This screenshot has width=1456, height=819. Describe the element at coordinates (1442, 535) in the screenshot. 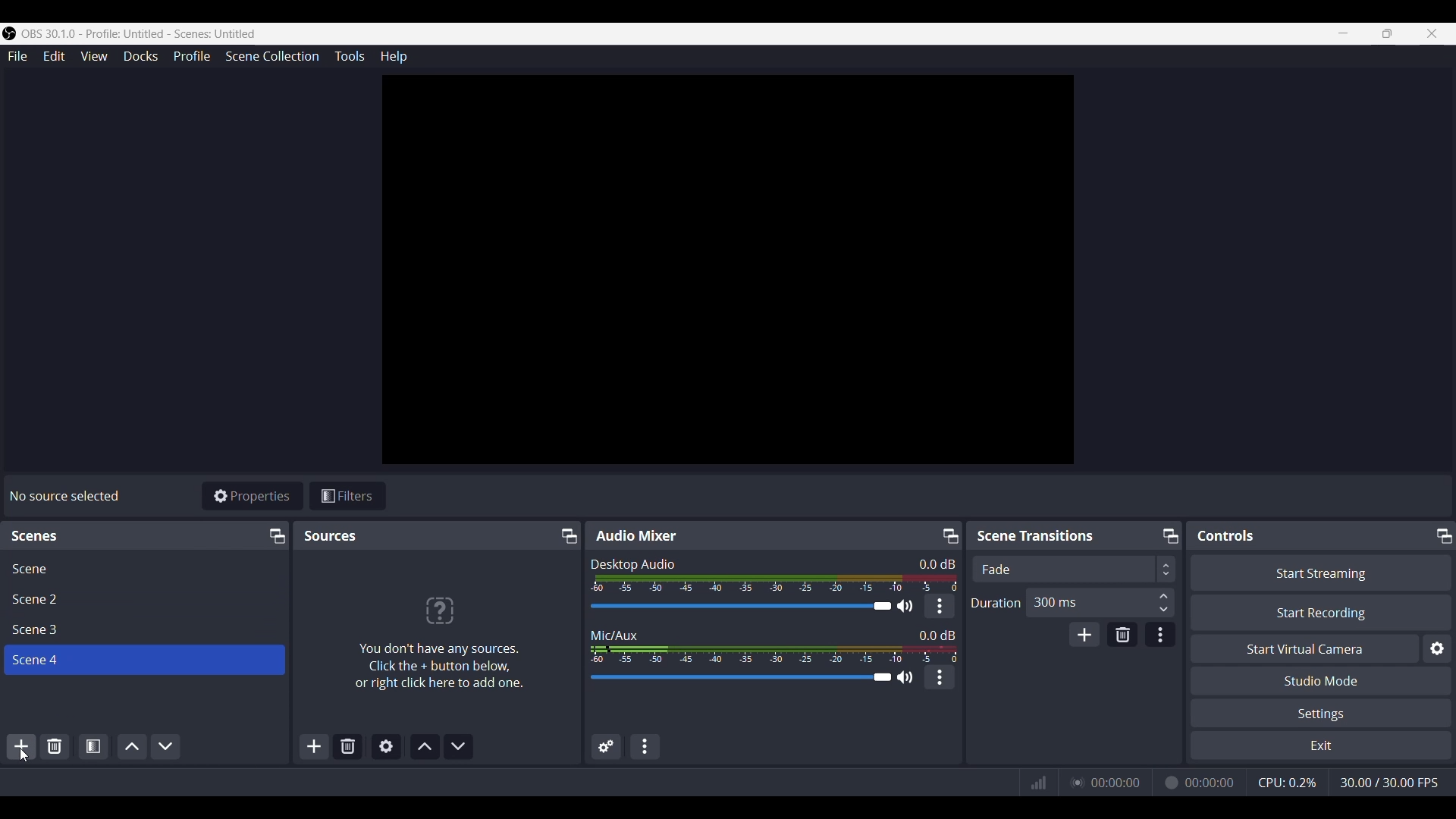

I see `Minimize` at that location.